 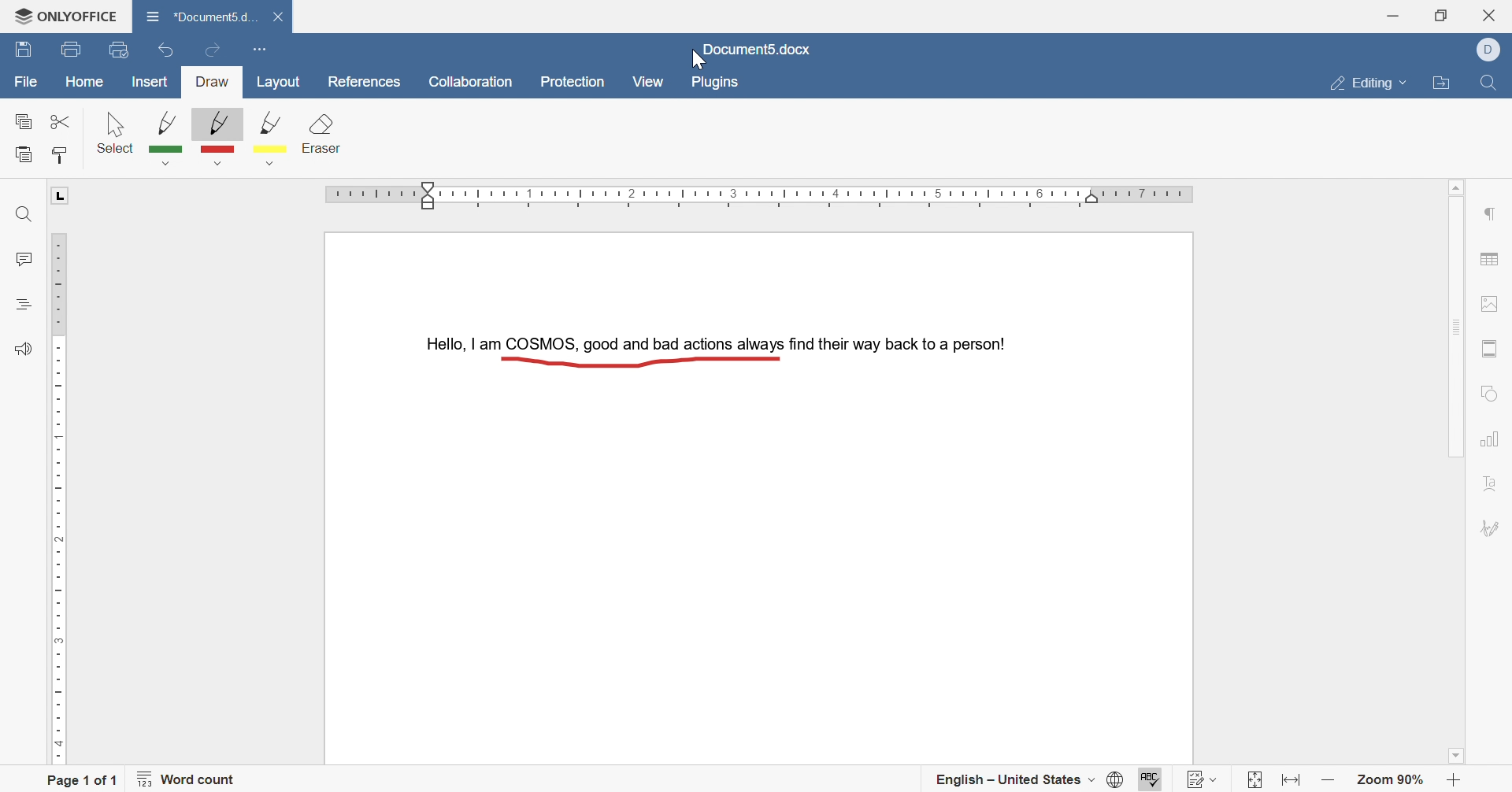 I want to click on file, so click(x=26, y=83).